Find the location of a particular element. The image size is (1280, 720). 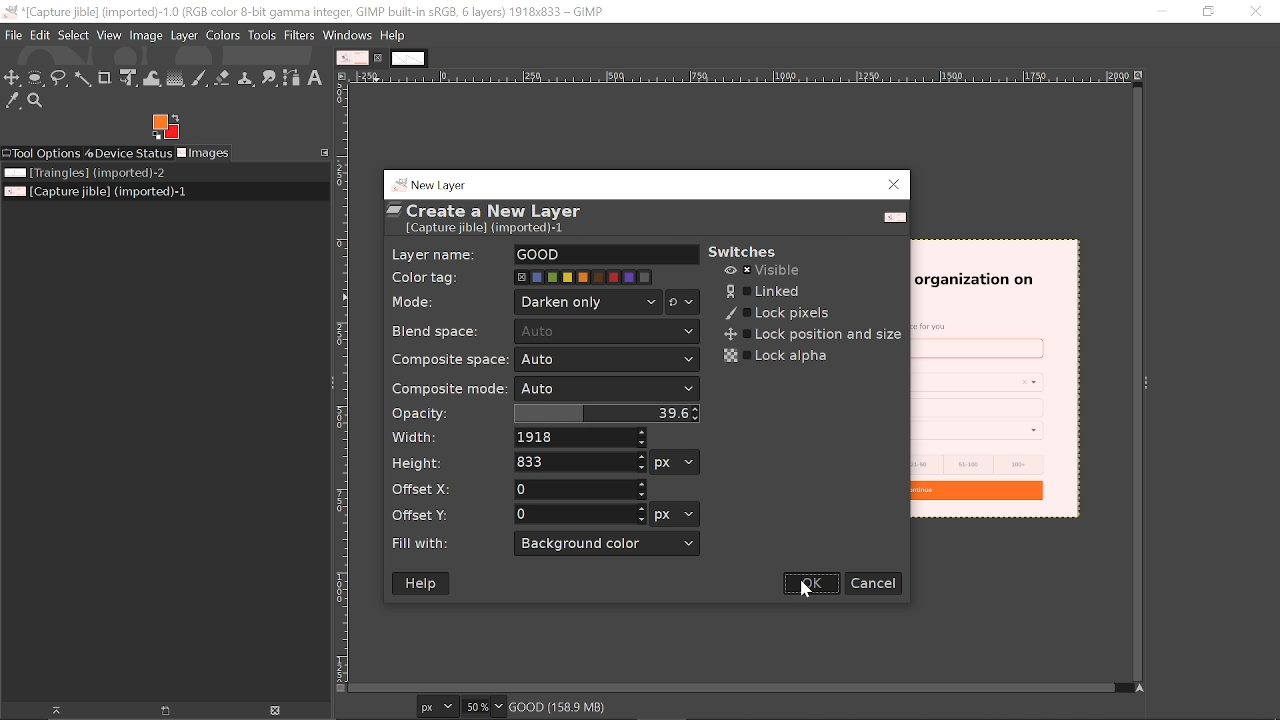

good (158.9MB) is located at coordinates (585, 705).